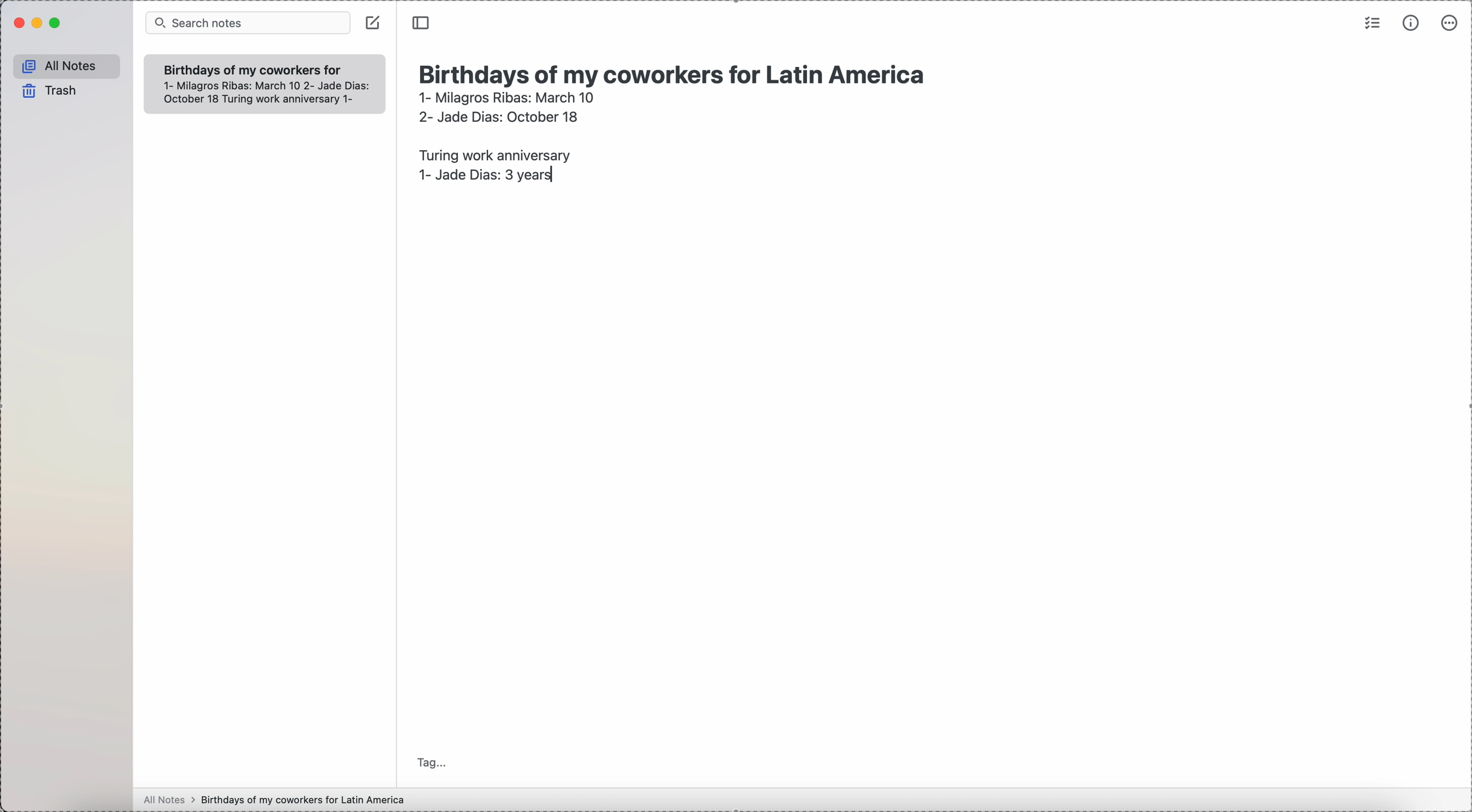  Describe the element at coordinates (1451, 22) in the screenshot. I see `more options` at that location.